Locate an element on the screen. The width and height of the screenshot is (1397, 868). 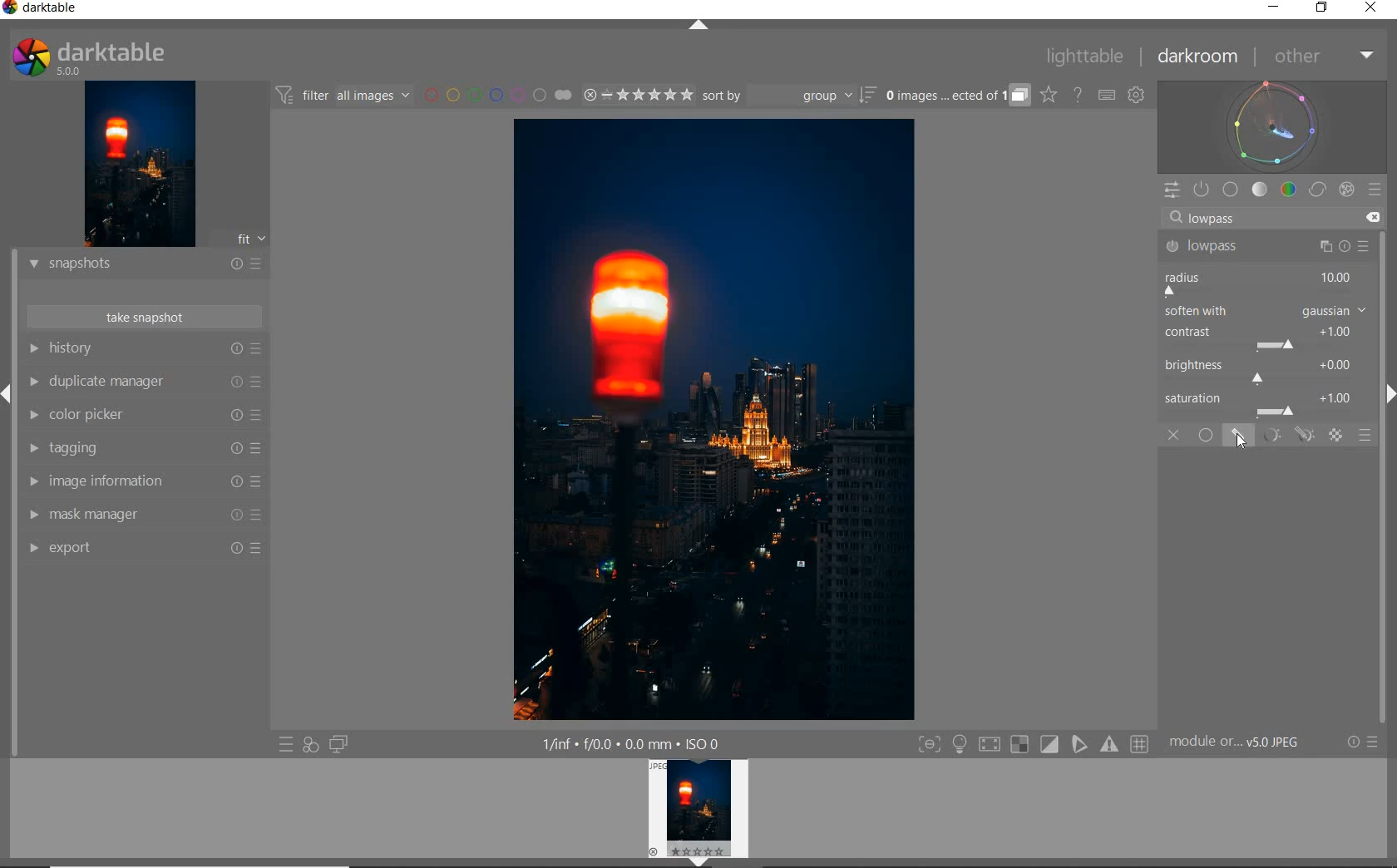
FILTER IMAGES BASED ON THEIR MODULE ORDER is located at coordinates (345, 96).